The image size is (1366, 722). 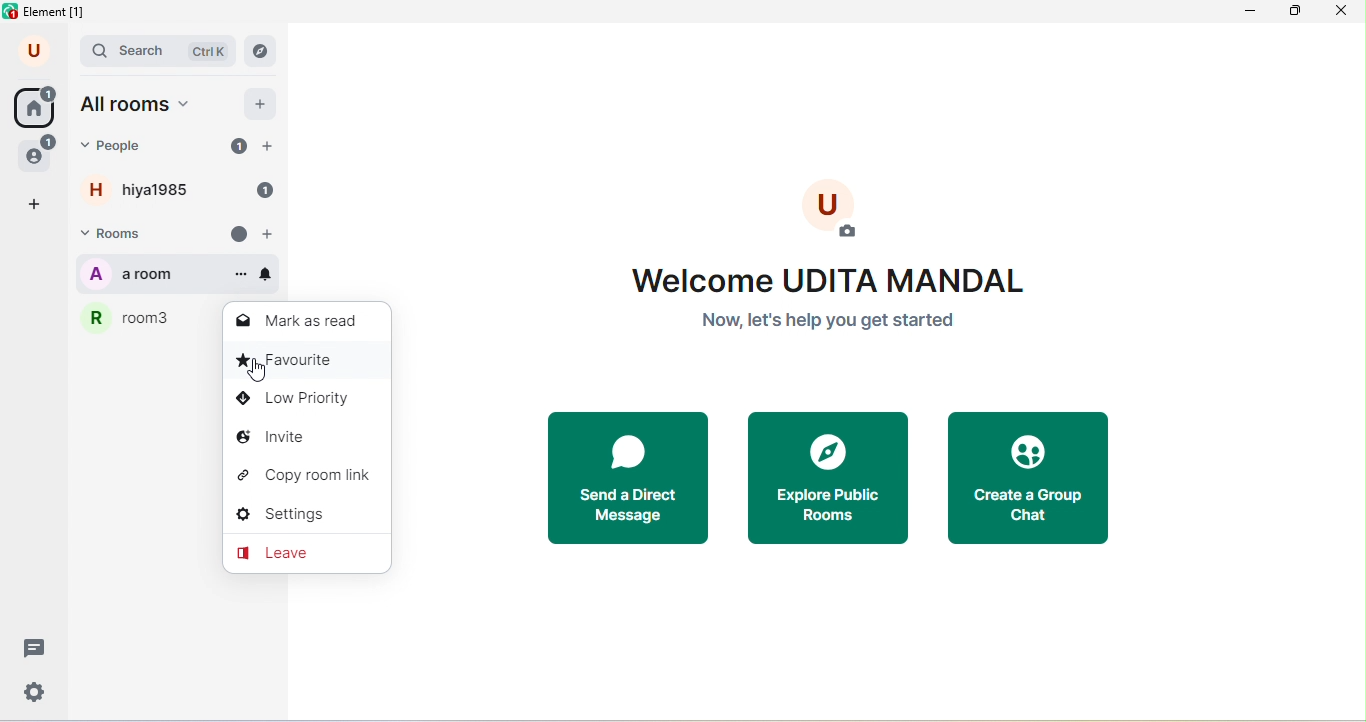 I want to click on unread 1 message, so click(x=264, y=191).